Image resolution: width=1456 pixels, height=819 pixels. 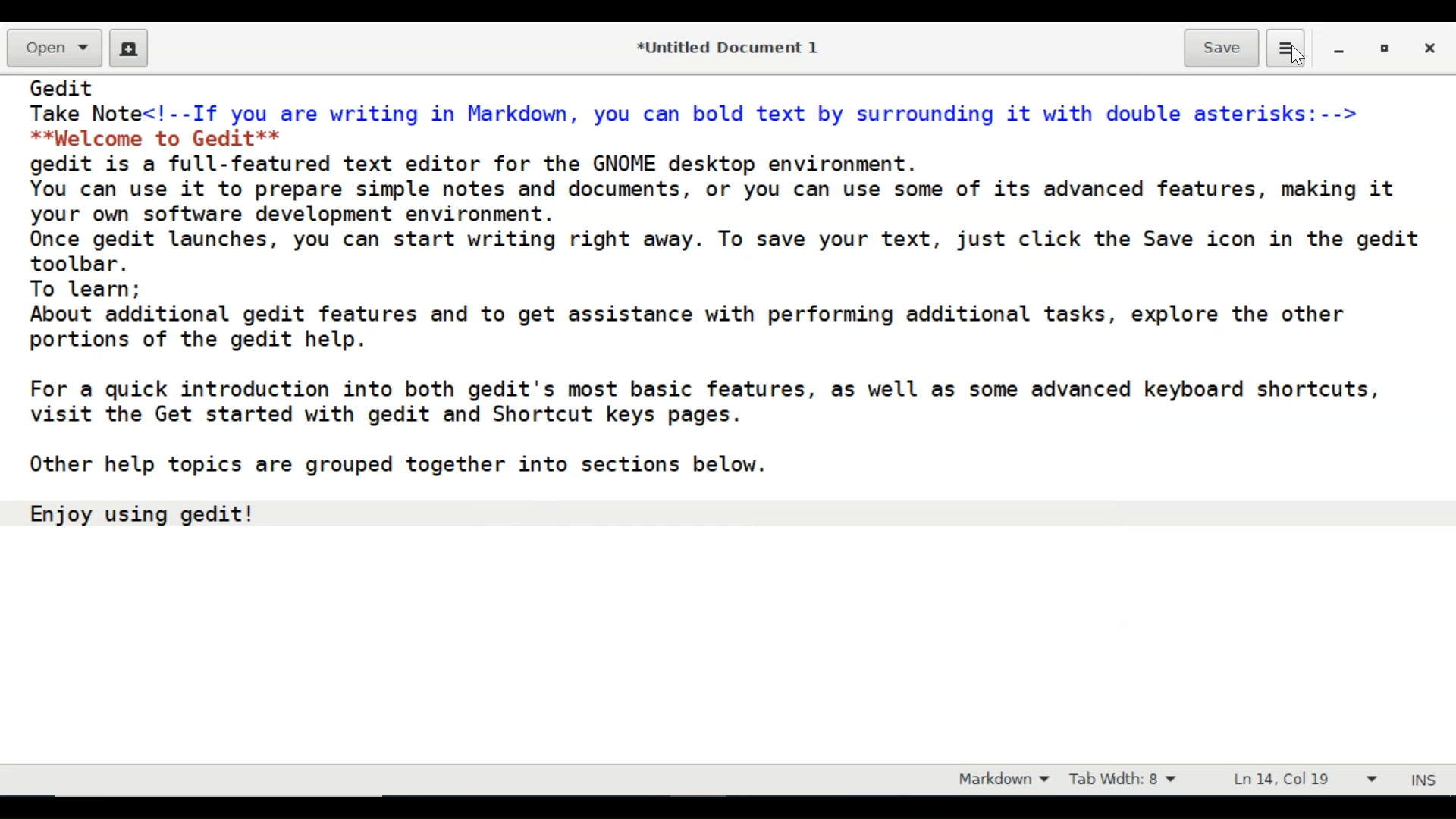 I want to click on Gedit, so click(x=64, y=87).